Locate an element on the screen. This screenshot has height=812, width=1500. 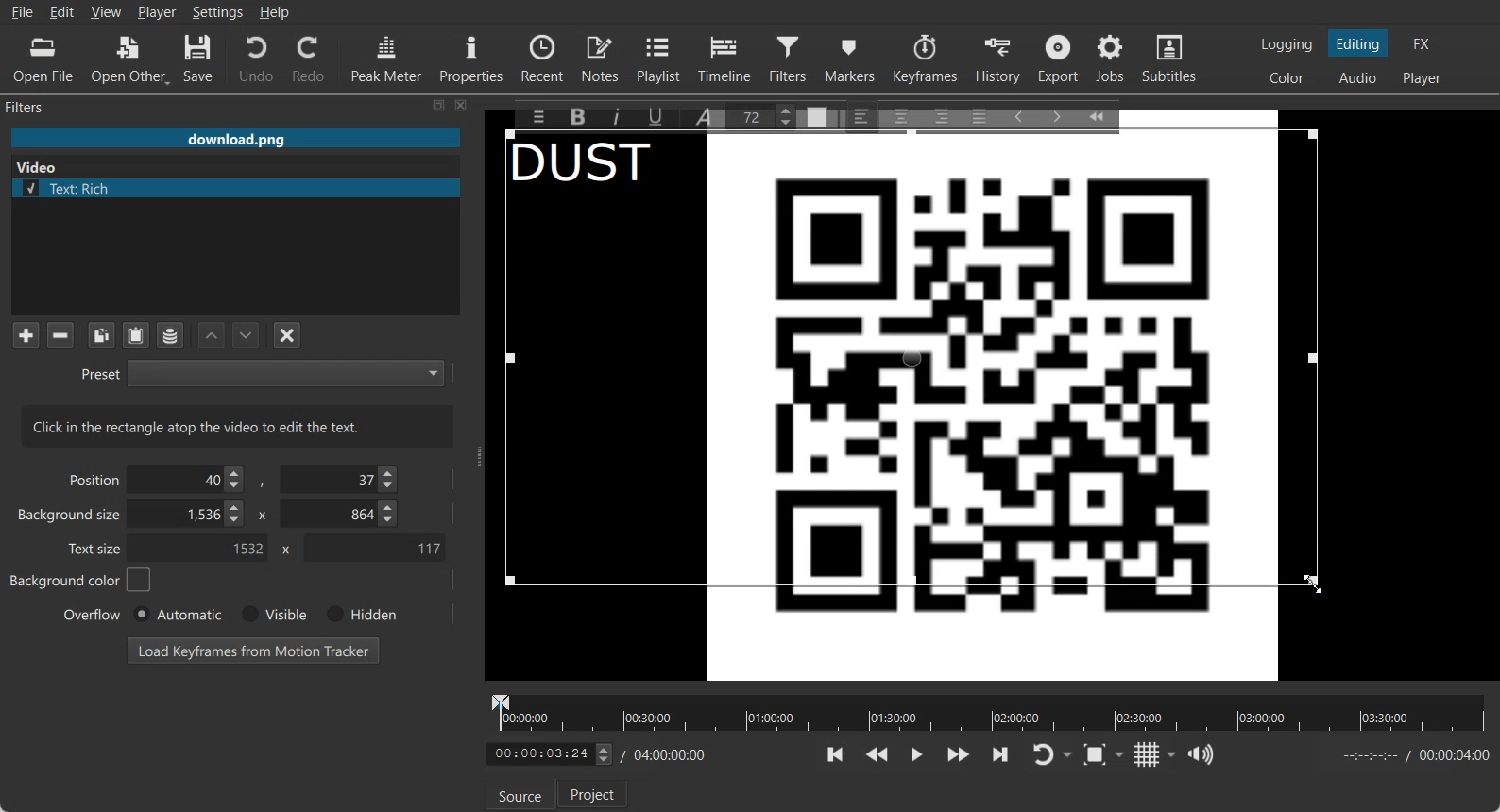
Text is located at coordinates (594, 166).